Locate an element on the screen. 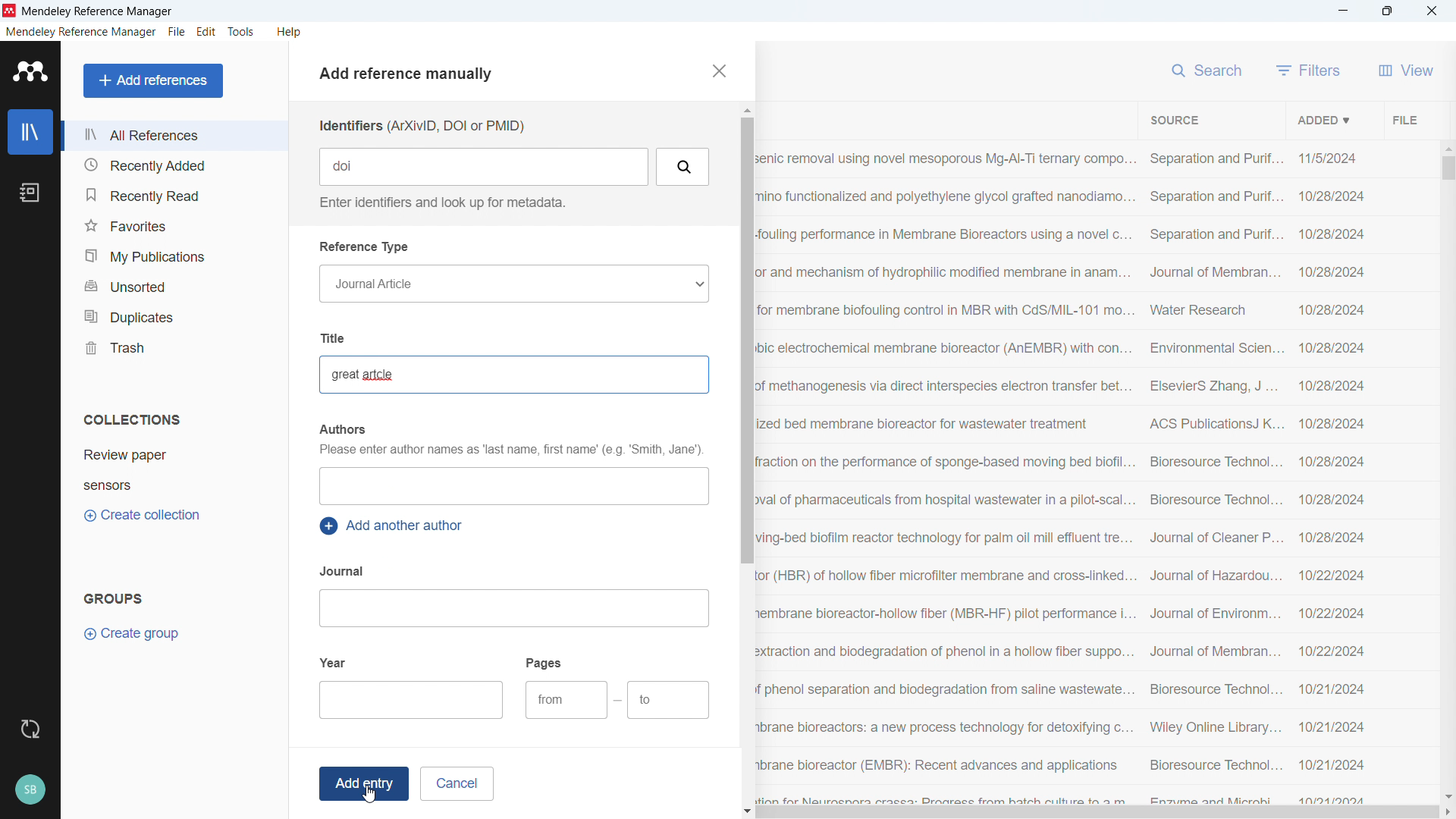 This screenshot has height=819, width=1456. Recently read  is located at coordinates (172, 195).